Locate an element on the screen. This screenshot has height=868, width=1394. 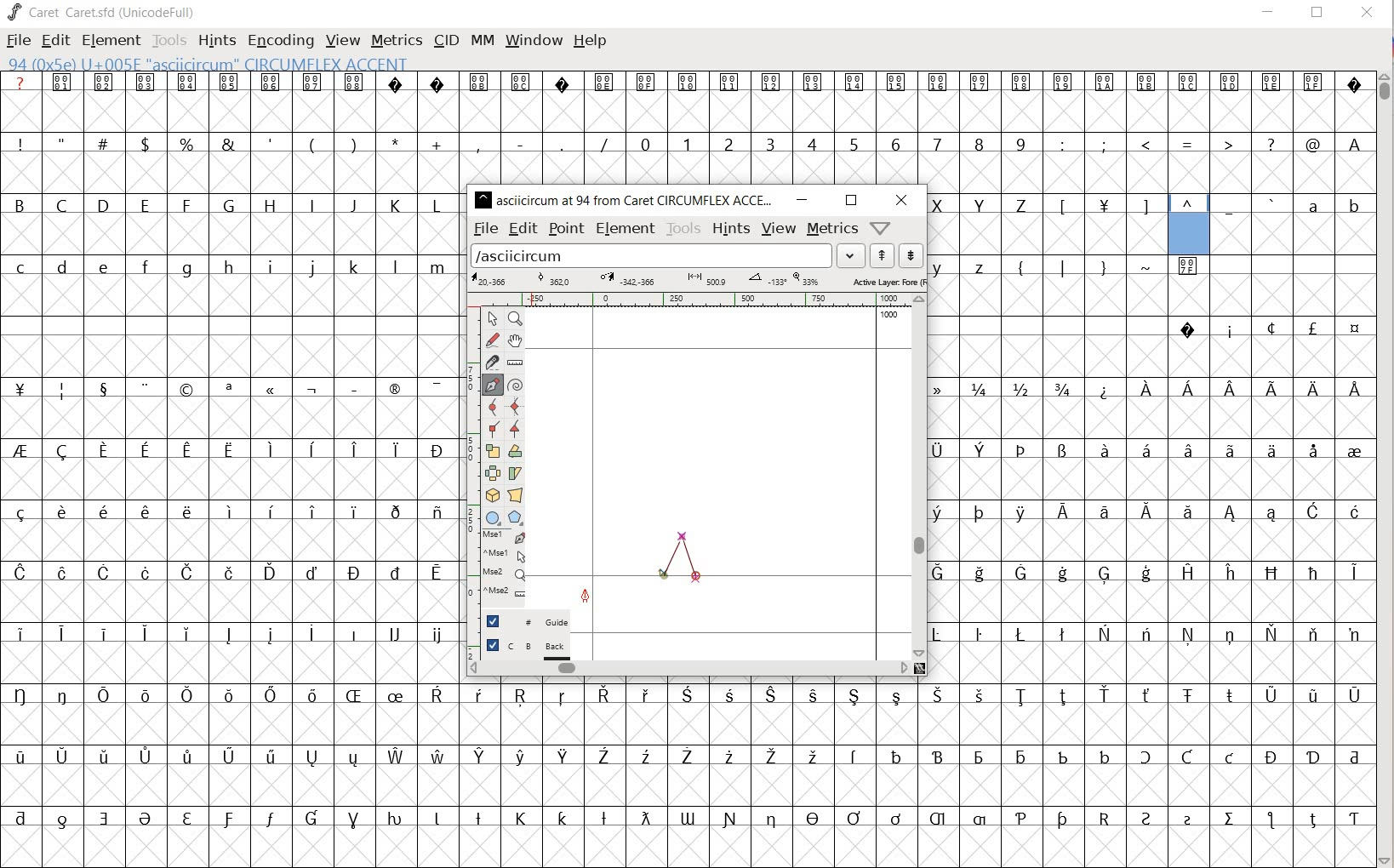
guide is located at coordinates (528, 621).